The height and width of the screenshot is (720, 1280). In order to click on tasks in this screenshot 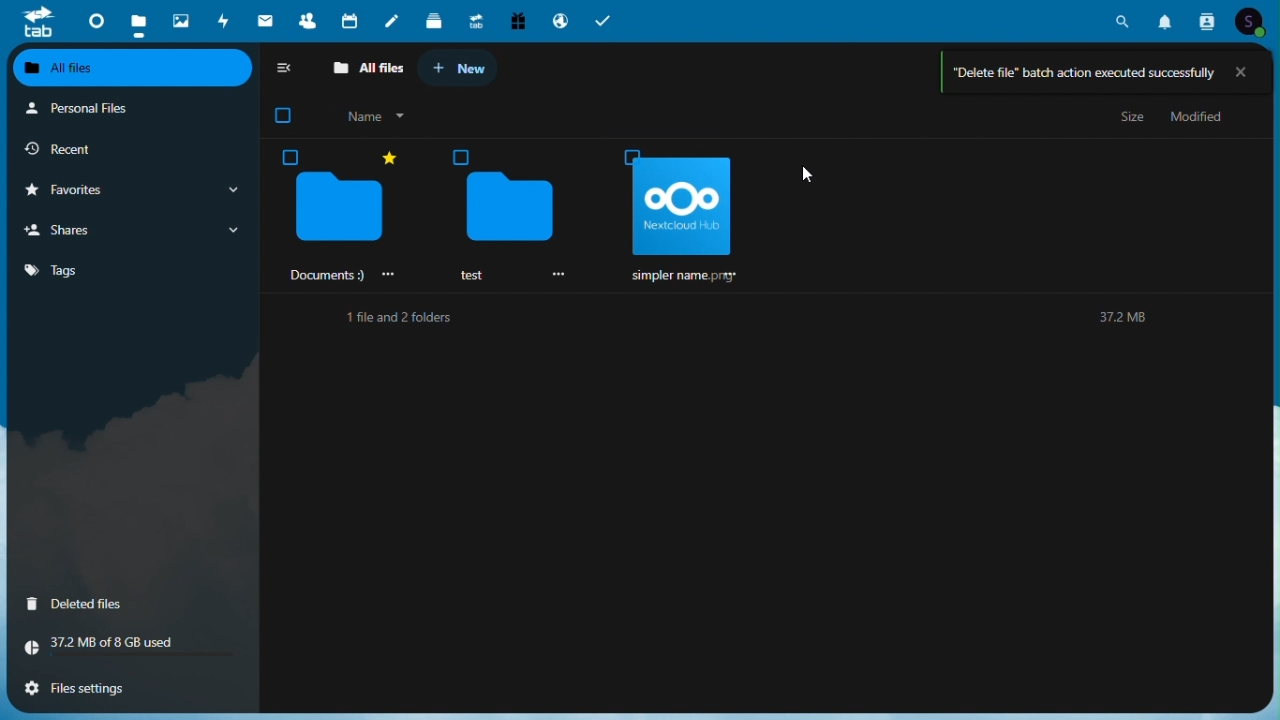, I will do `click(604, 21)`.